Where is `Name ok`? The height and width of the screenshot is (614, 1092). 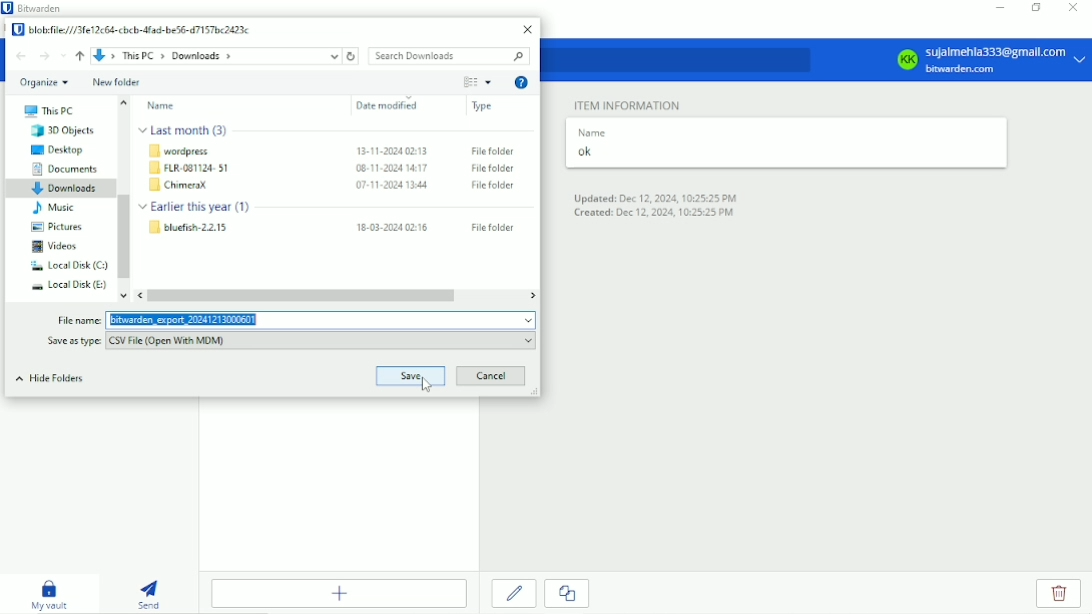
Name ok is located at coordinates (593, 145).